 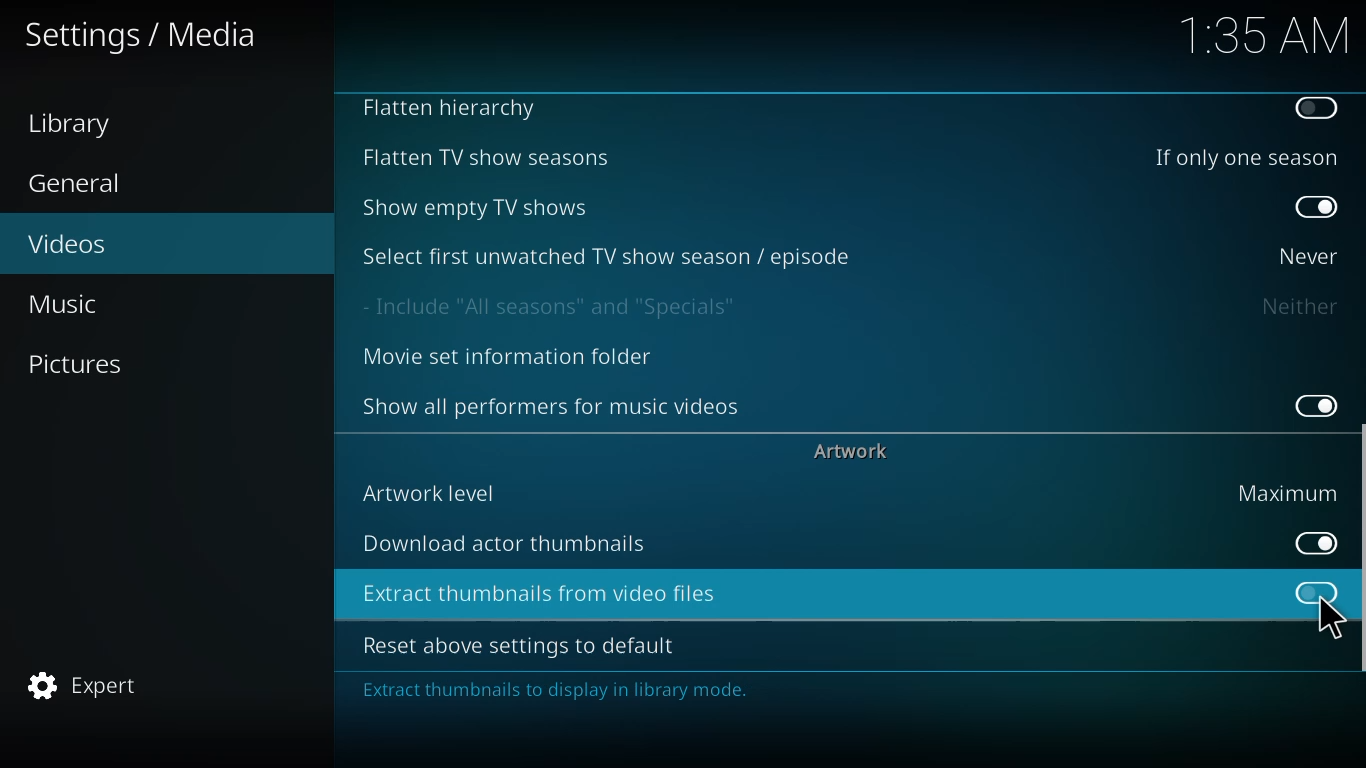 I want to click on movie set info, so click(x=512, y=358).